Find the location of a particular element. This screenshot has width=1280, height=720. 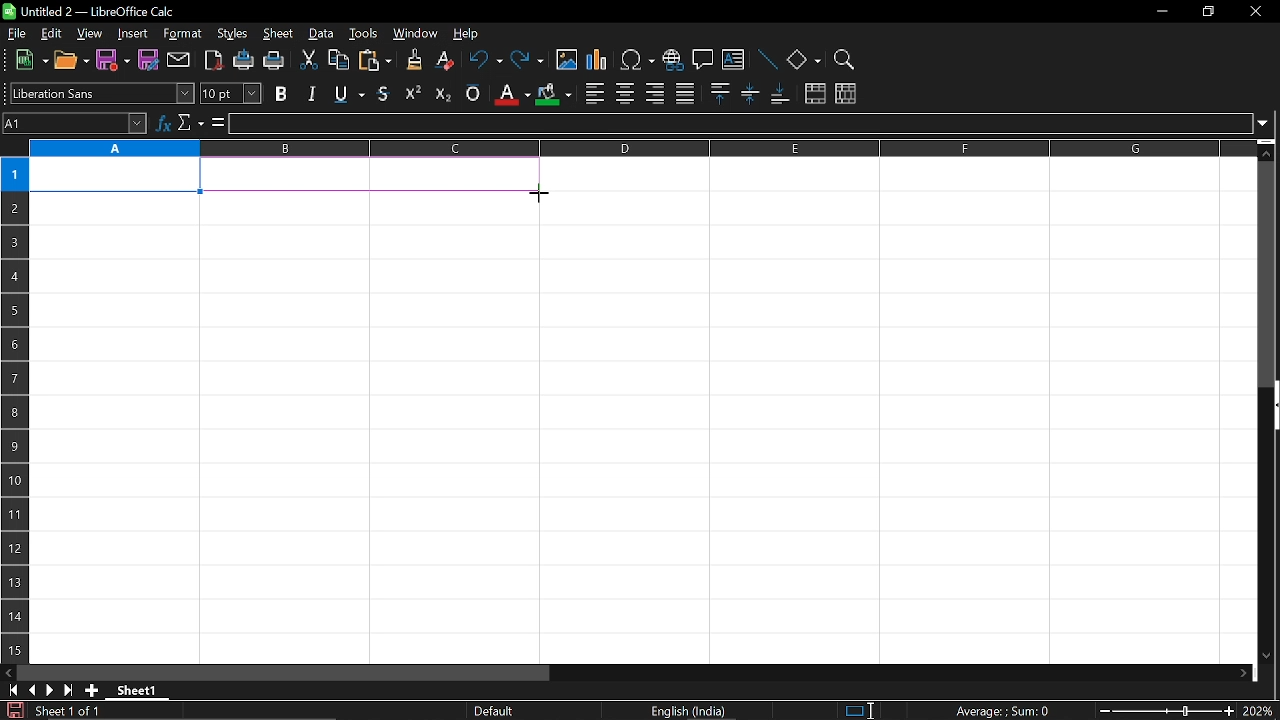

window is located at coordinates (415, 34).